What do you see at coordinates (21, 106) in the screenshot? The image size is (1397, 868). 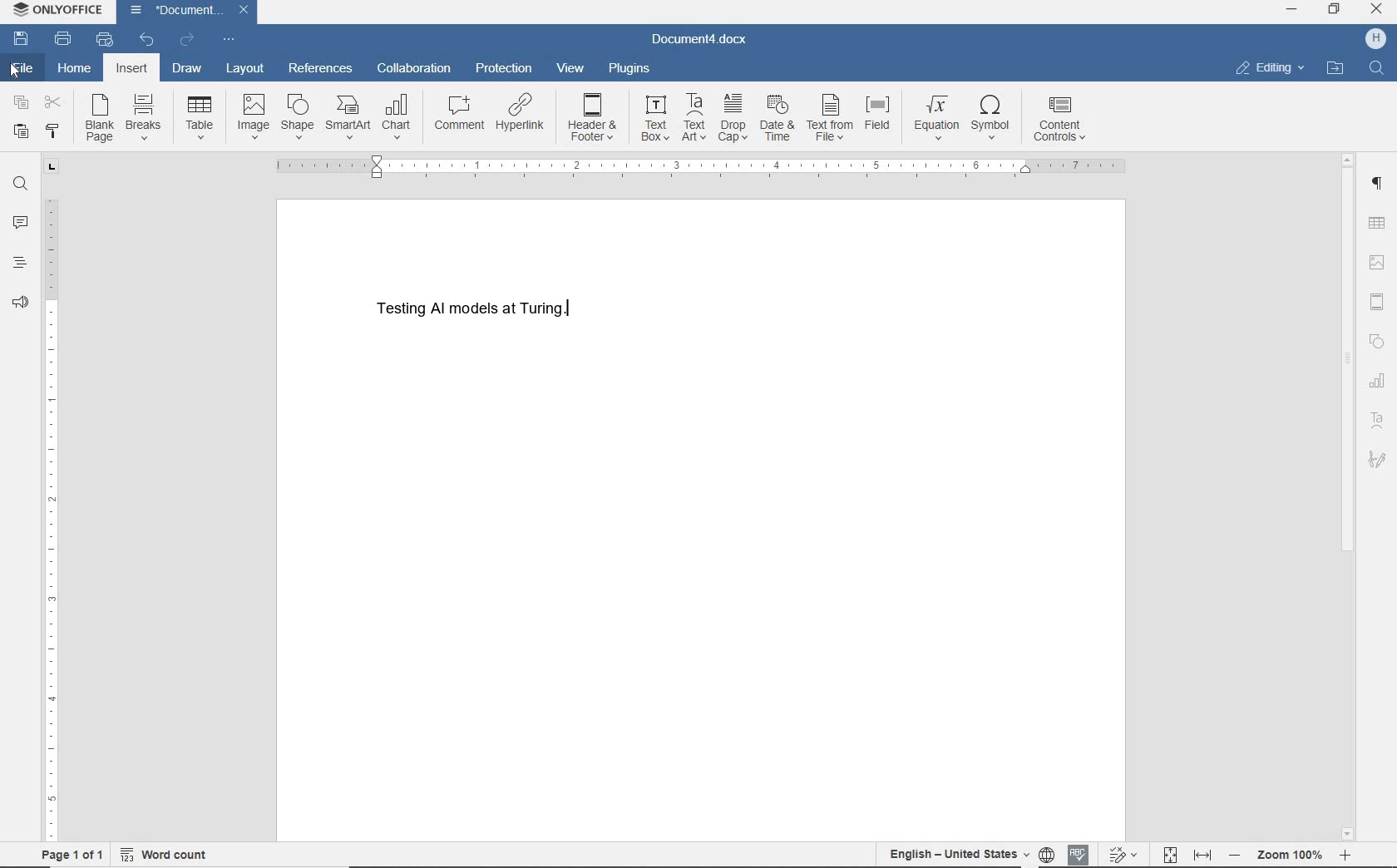 I see `copy` at bounding box center [21, 106].